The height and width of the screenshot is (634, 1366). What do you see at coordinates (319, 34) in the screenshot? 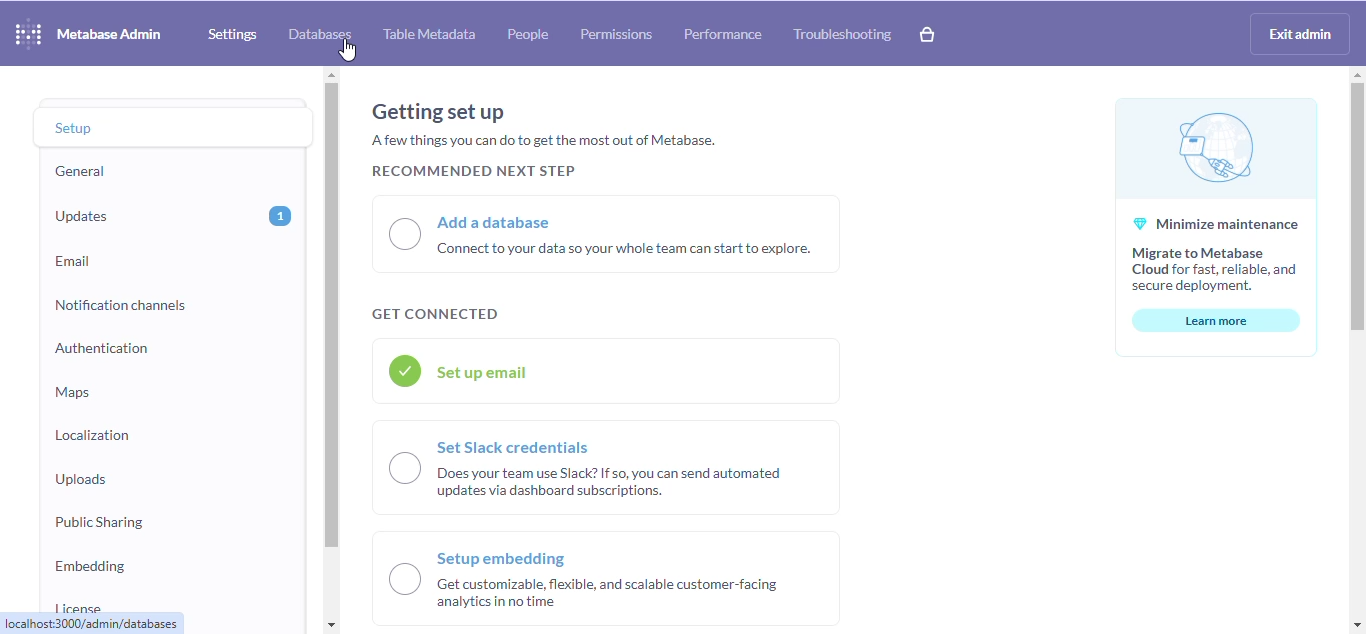
I see `databases` at bounding box center [319, 34].